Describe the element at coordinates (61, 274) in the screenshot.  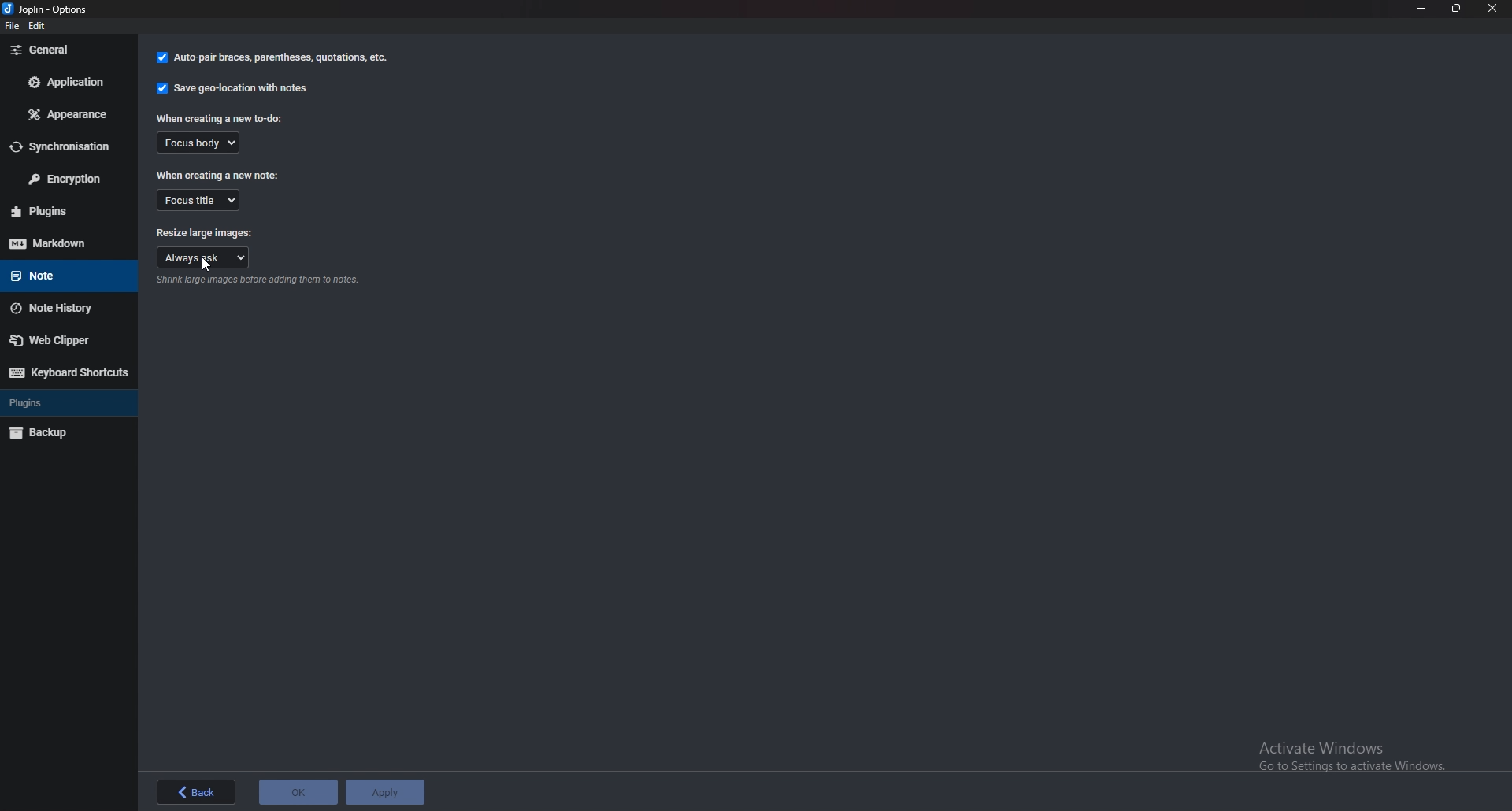
I see `note` at that location.